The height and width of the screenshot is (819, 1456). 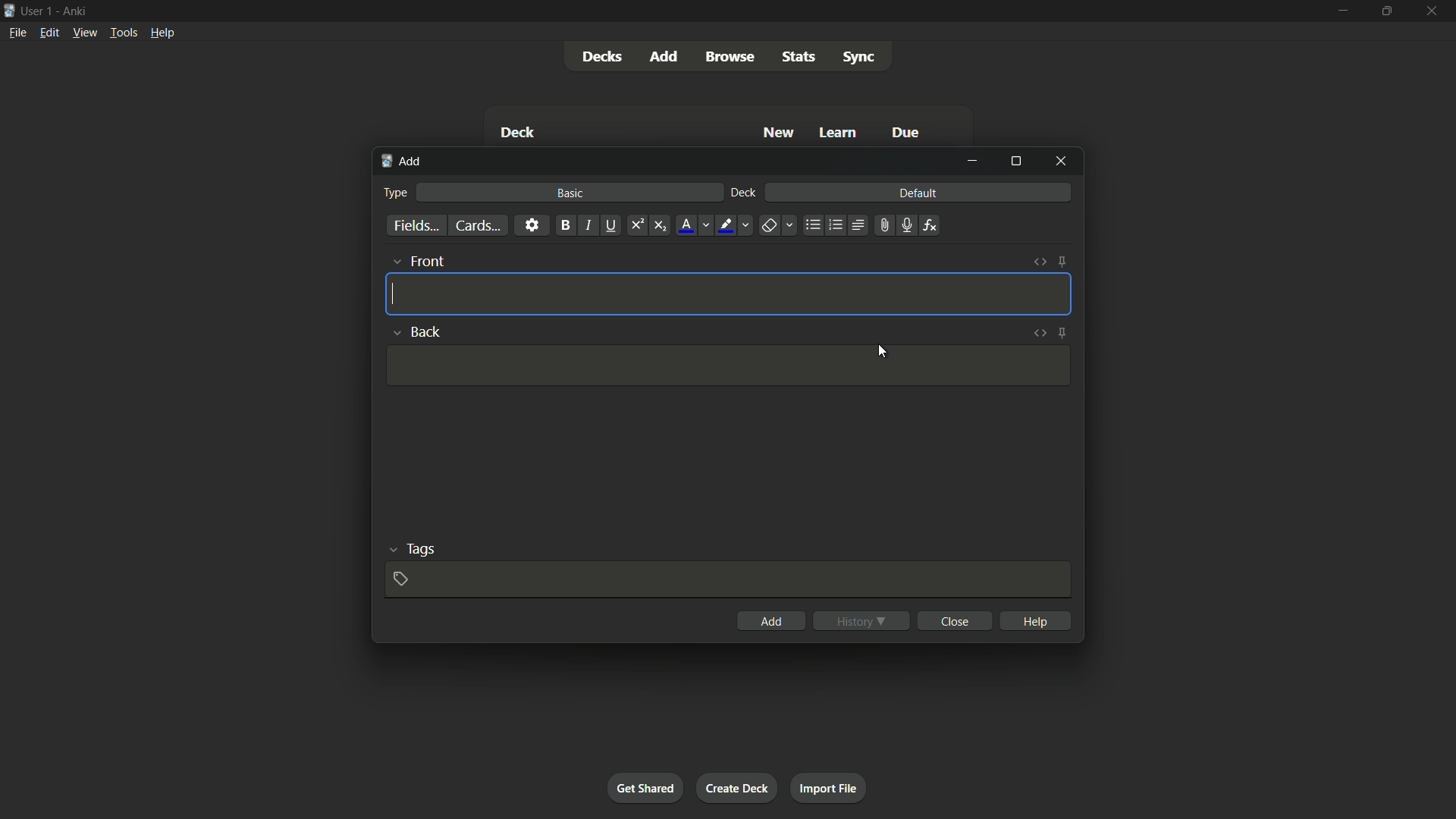 What do you see at coordinates (729, 56) in the screenshot?
I see `browse` at bounding box center [729, 56].